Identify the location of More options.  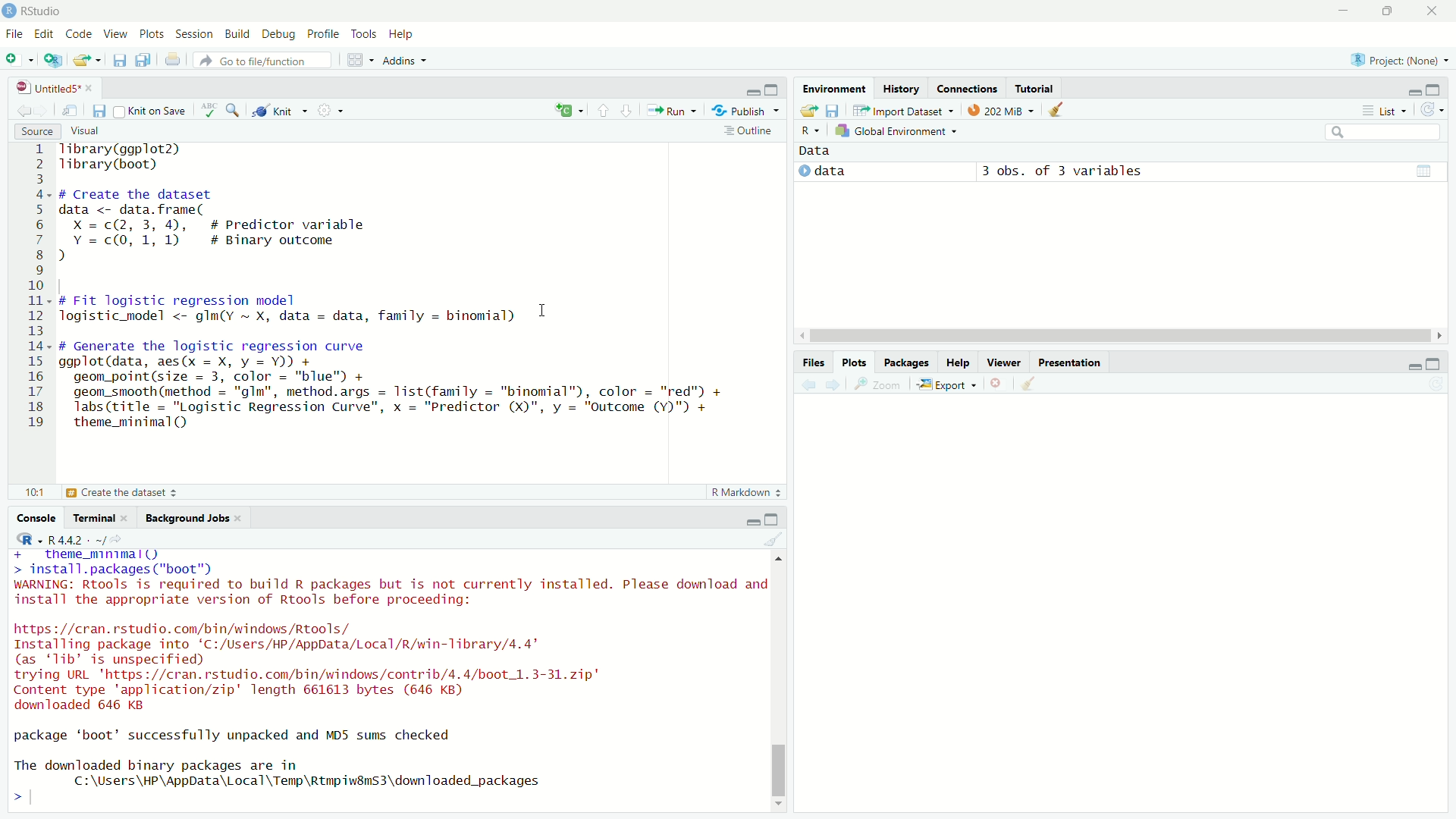
(331, 109).